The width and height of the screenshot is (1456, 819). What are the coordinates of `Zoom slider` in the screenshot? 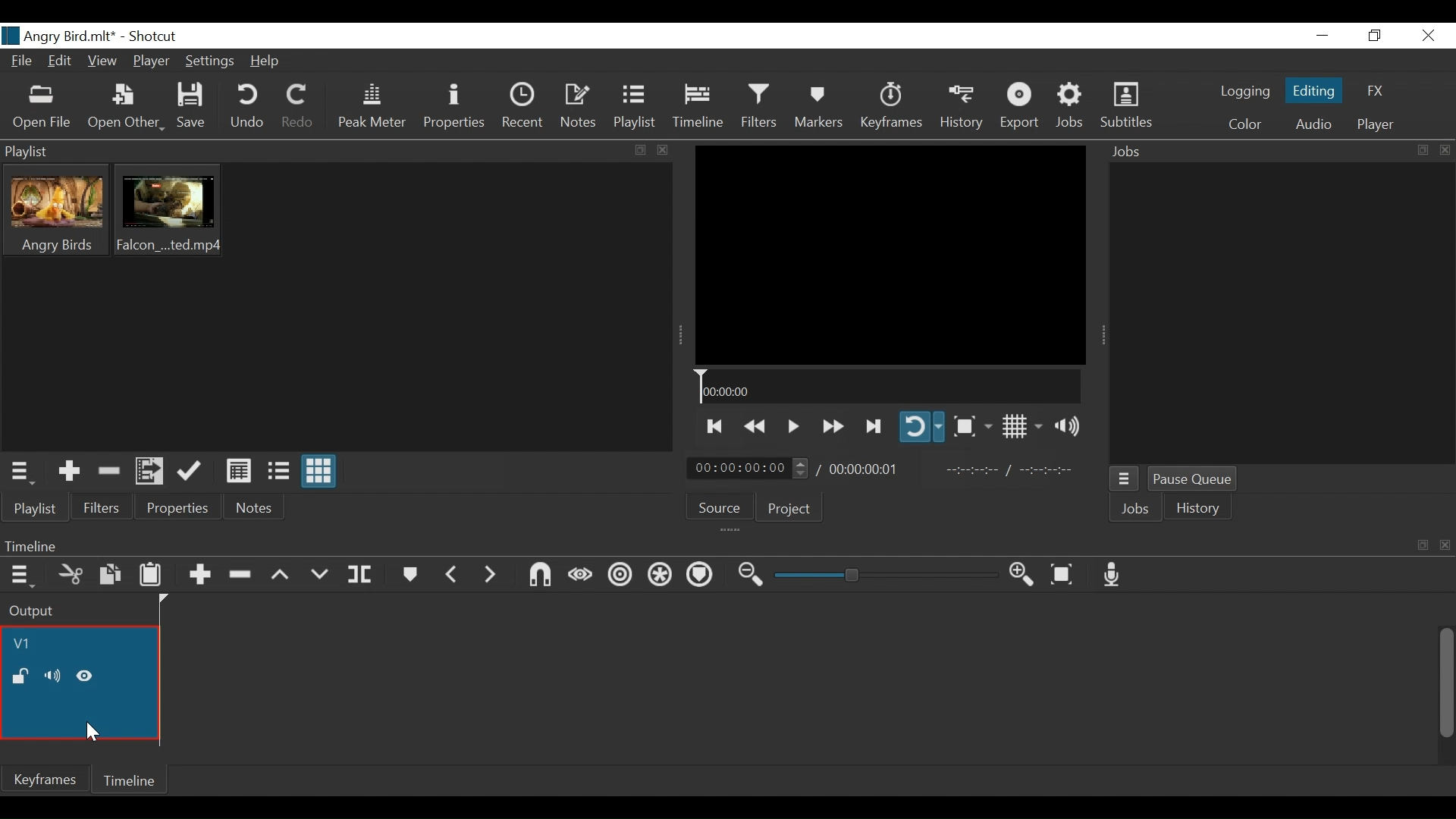 It's located at (885, 575).